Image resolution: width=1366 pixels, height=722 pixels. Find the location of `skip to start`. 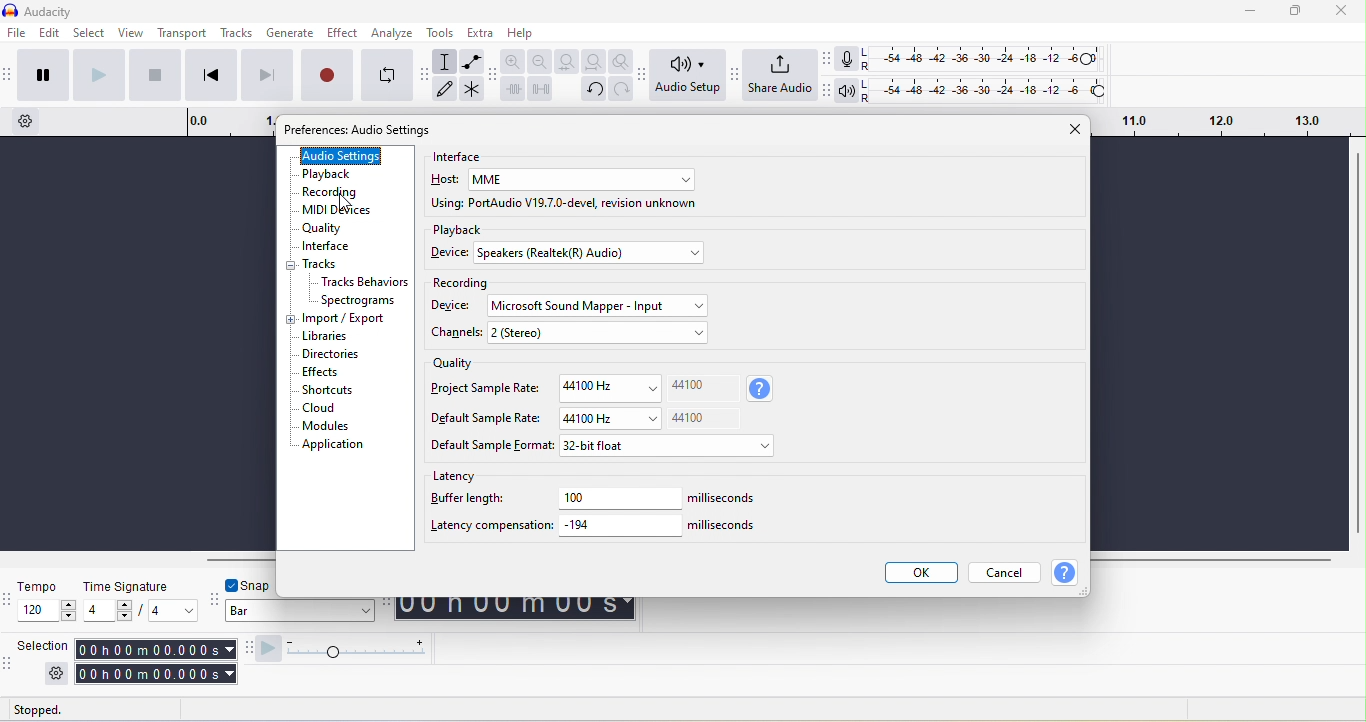

skip to start is located at coordinates (212, 73).